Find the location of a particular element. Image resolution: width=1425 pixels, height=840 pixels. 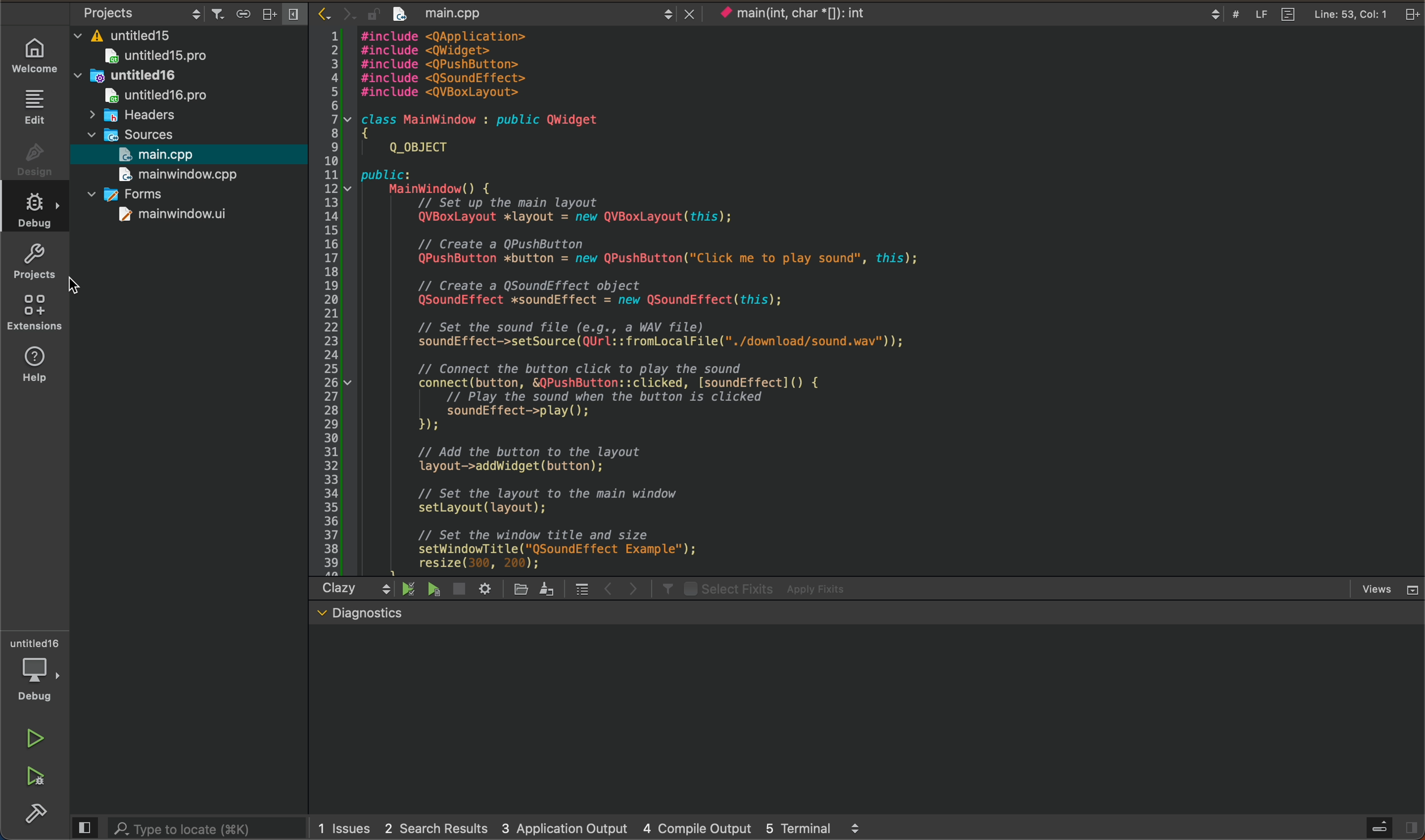

open sidebar is located at coordinates (1389, 824).